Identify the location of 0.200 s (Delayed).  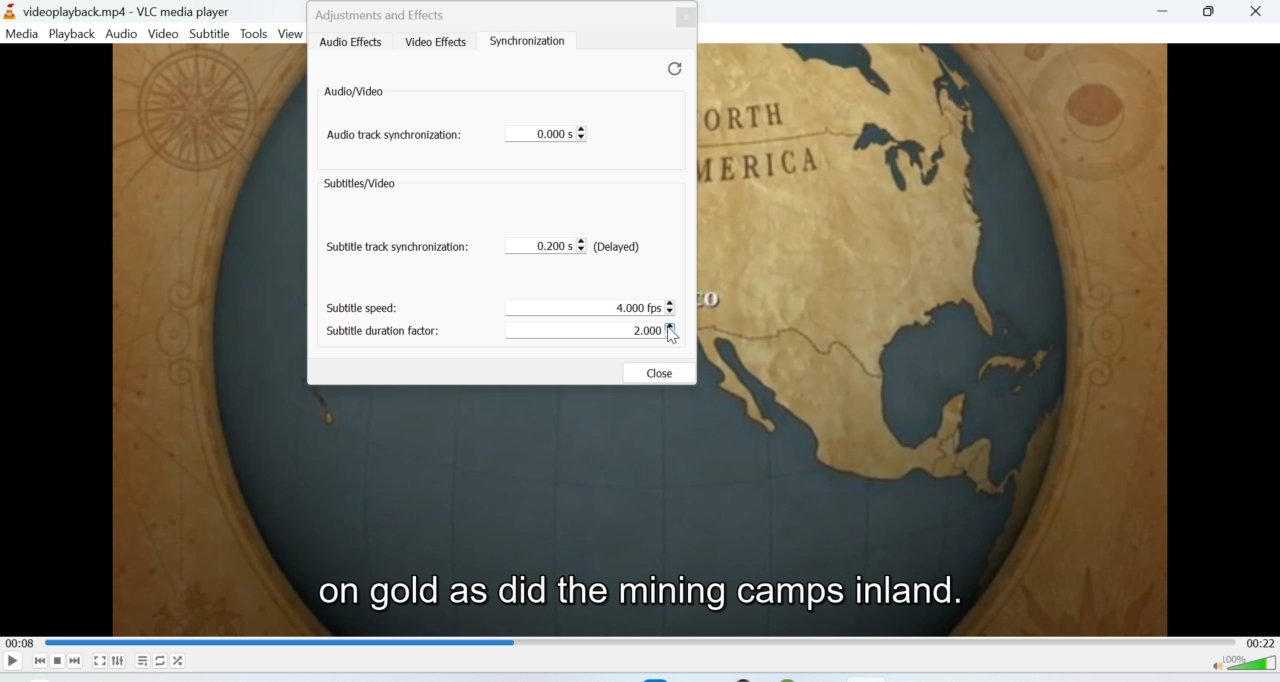
(590, 248).